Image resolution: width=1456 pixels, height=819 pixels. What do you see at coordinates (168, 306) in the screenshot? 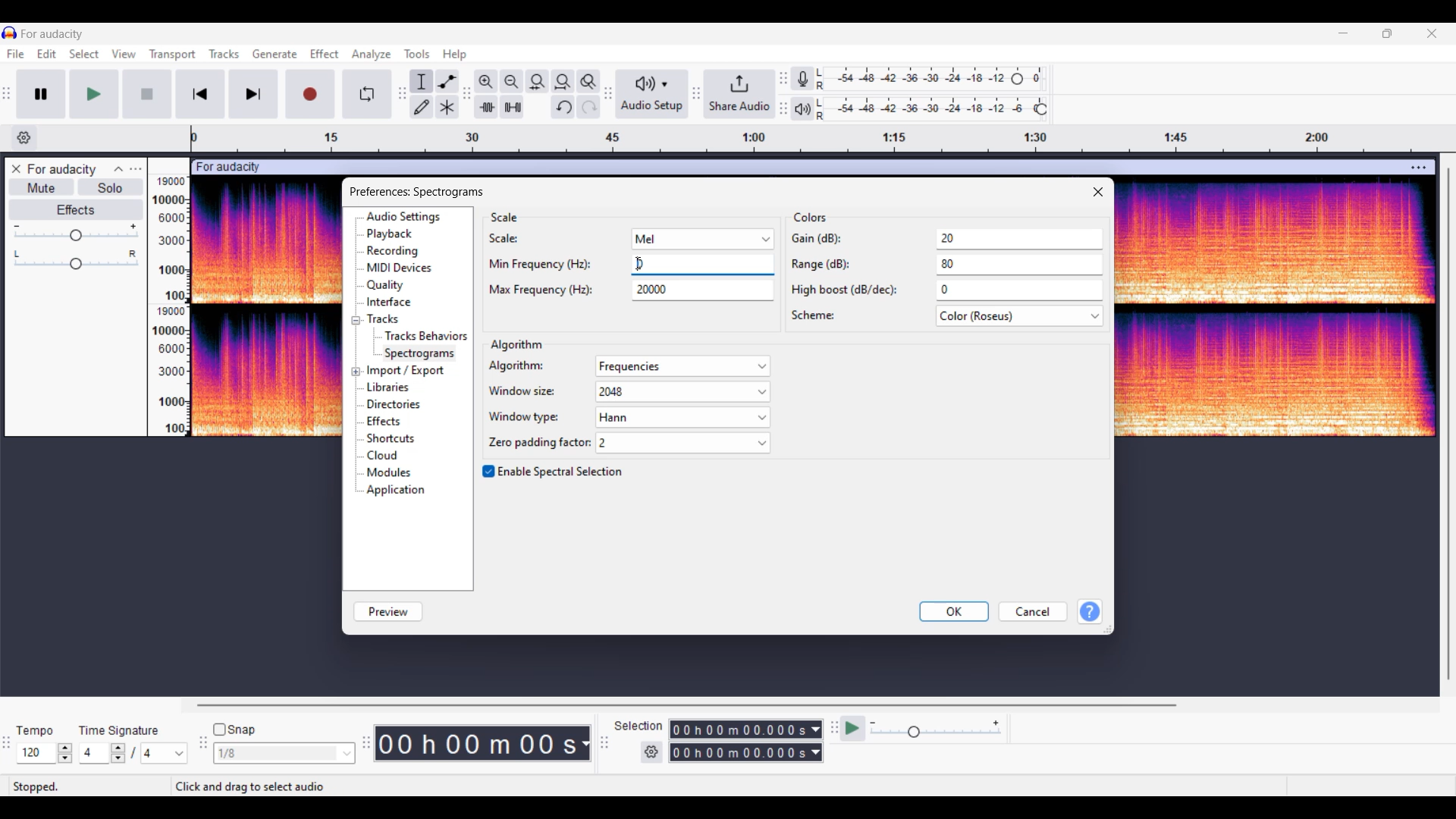
I see `Scale to measure intensity of track` at bounding box center [168, 306].